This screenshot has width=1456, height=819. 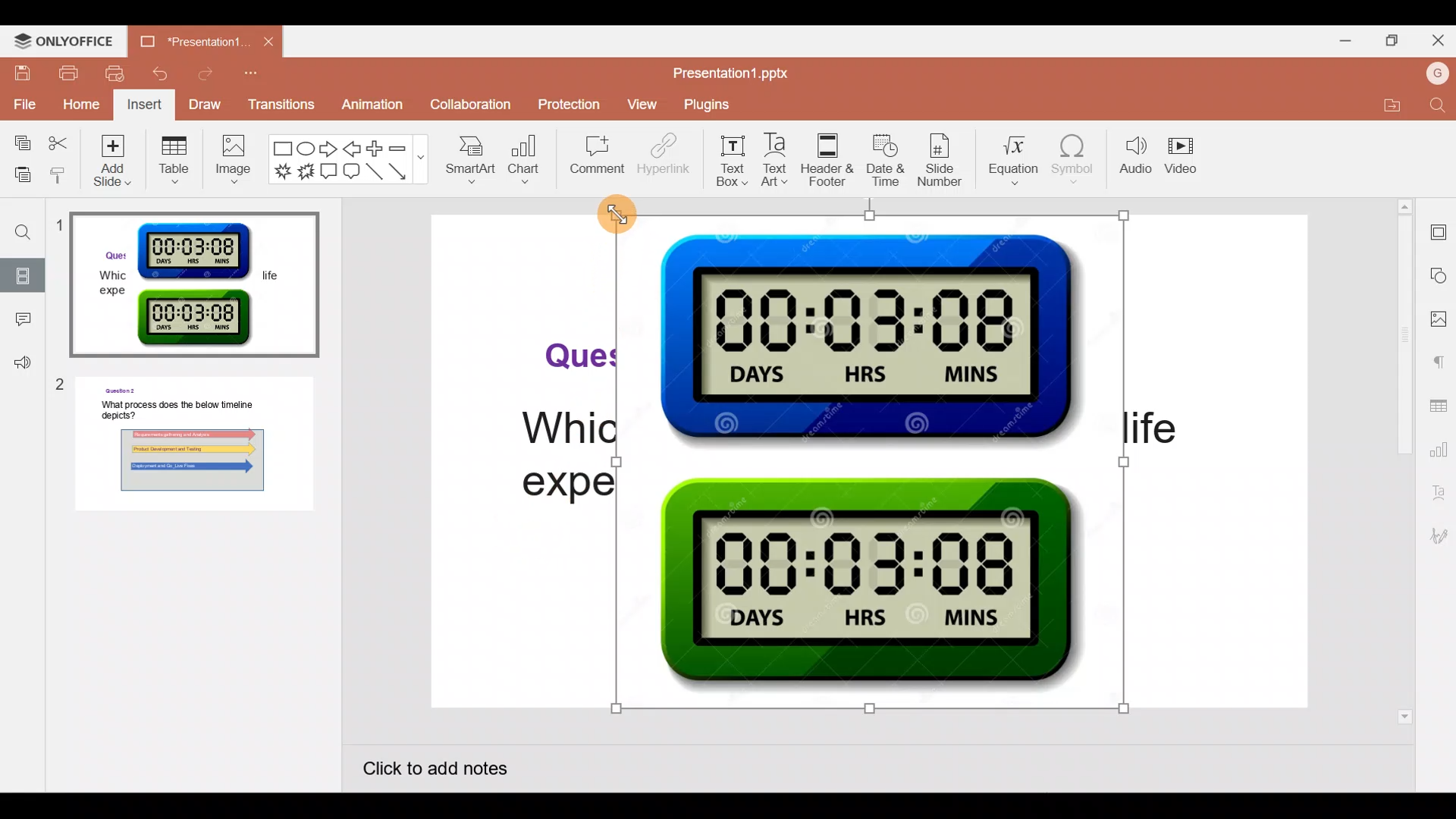 What do you see at coordinates (1439, 450) in the screenshot?
I see `Chart settings` at bounding box center [1439, 450].